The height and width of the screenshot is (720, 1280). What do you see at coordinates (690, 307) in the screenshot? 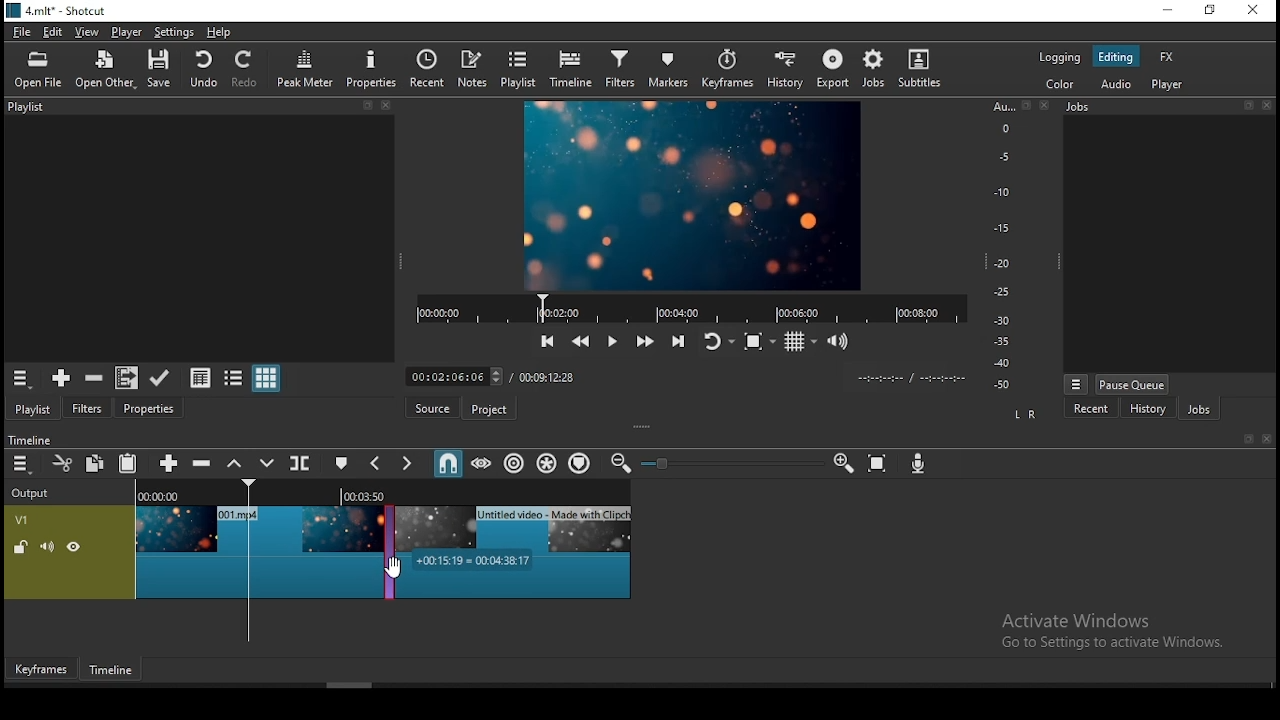
I see `video player progress bar` at bounding box center [690, 307].